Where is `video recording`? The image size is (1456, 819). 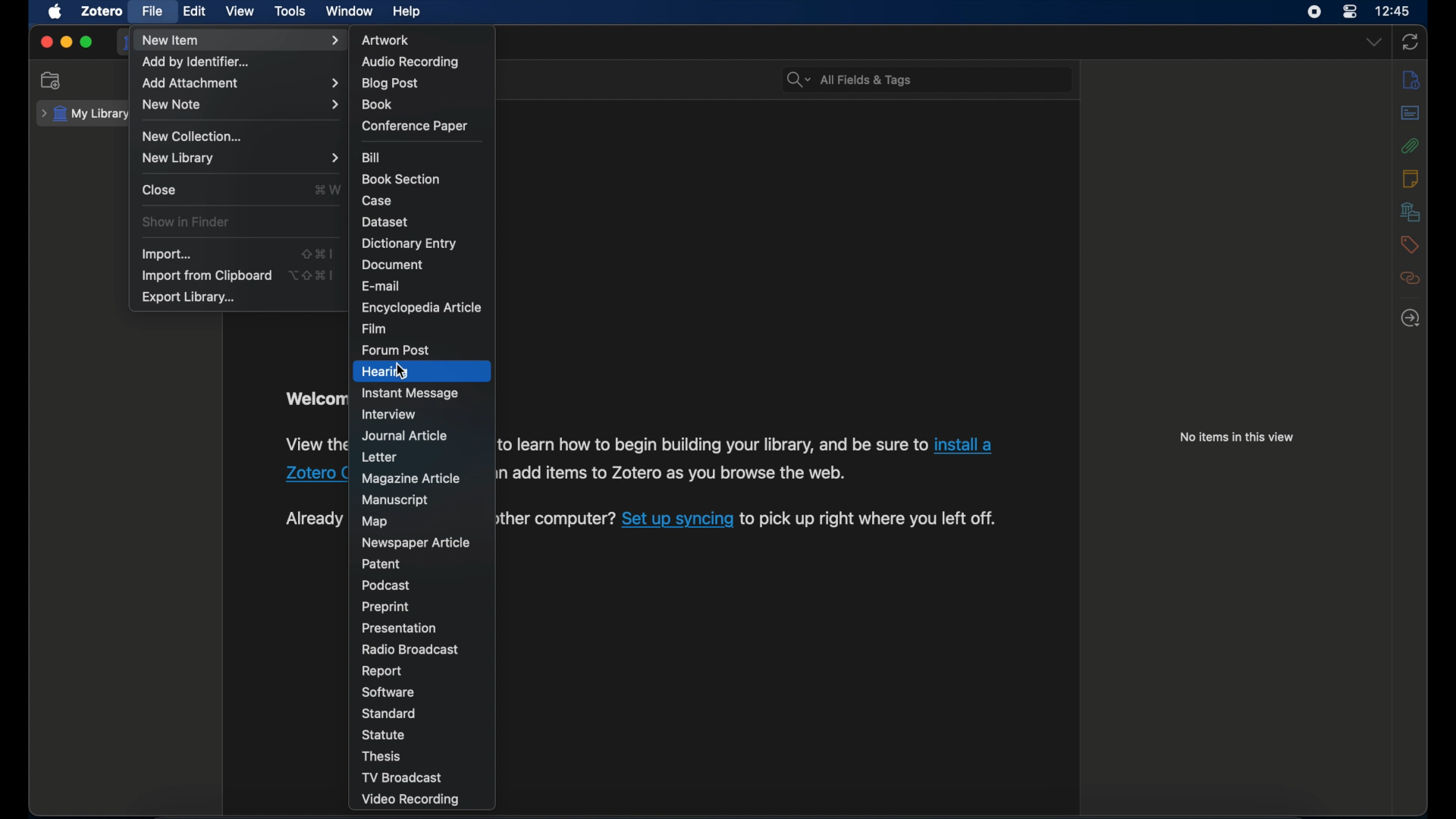
video recording is located at coordinates (409, 799).